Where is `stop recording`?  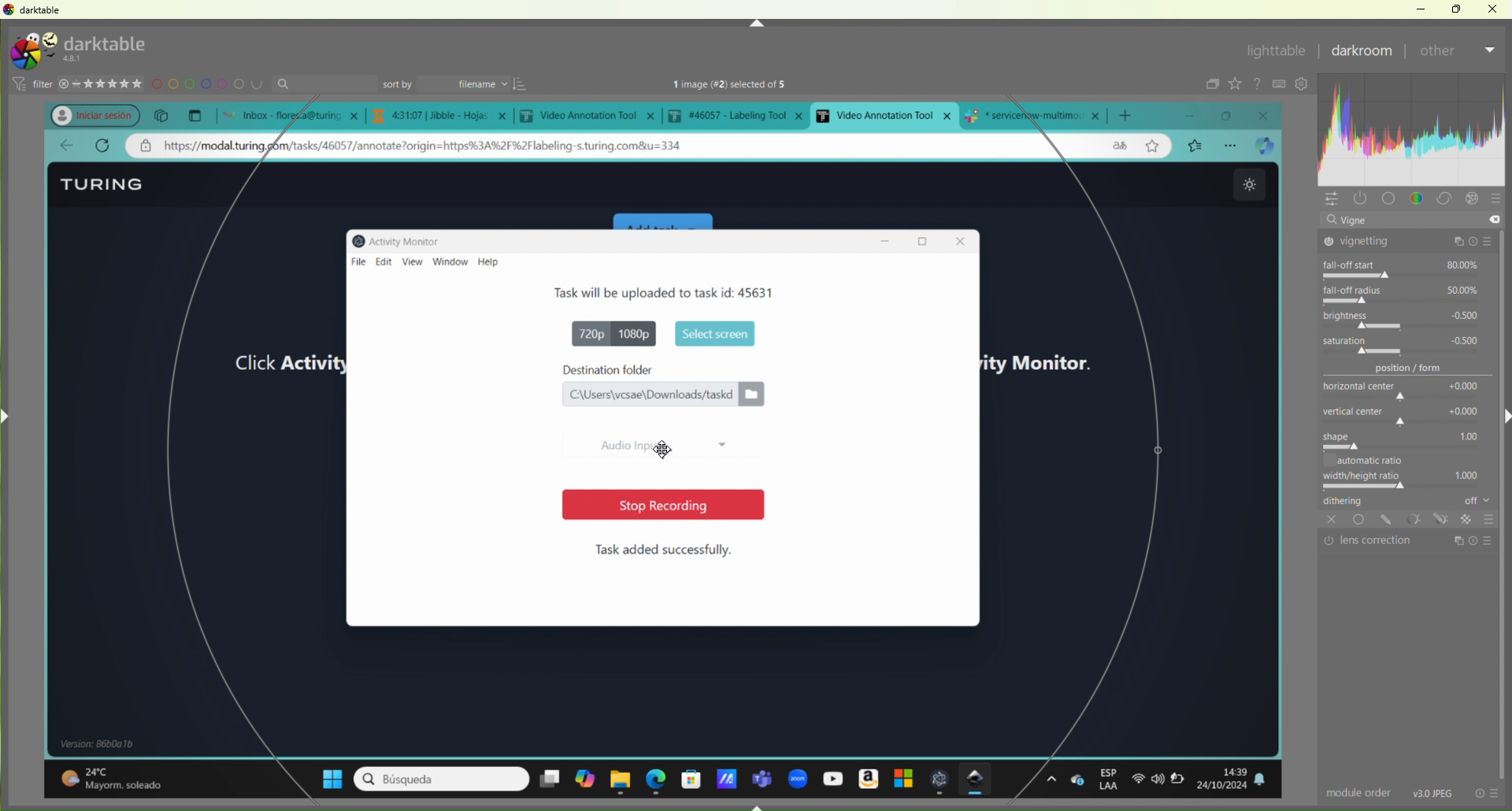 stop recording is located at coordinates (654, 505).